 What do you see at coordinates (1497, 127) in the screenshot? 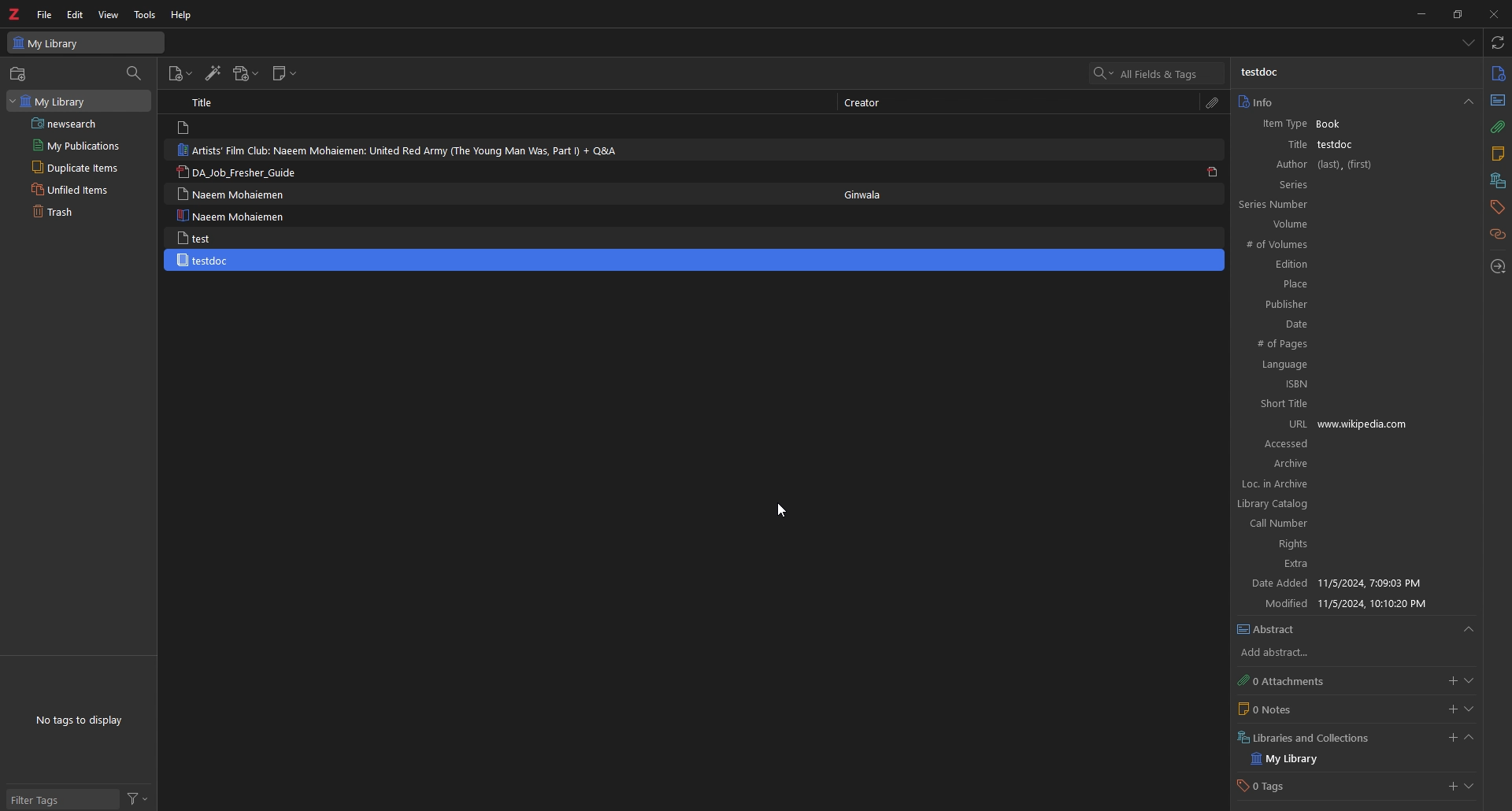
I see `attachment` at bounding box center [1497, 127].